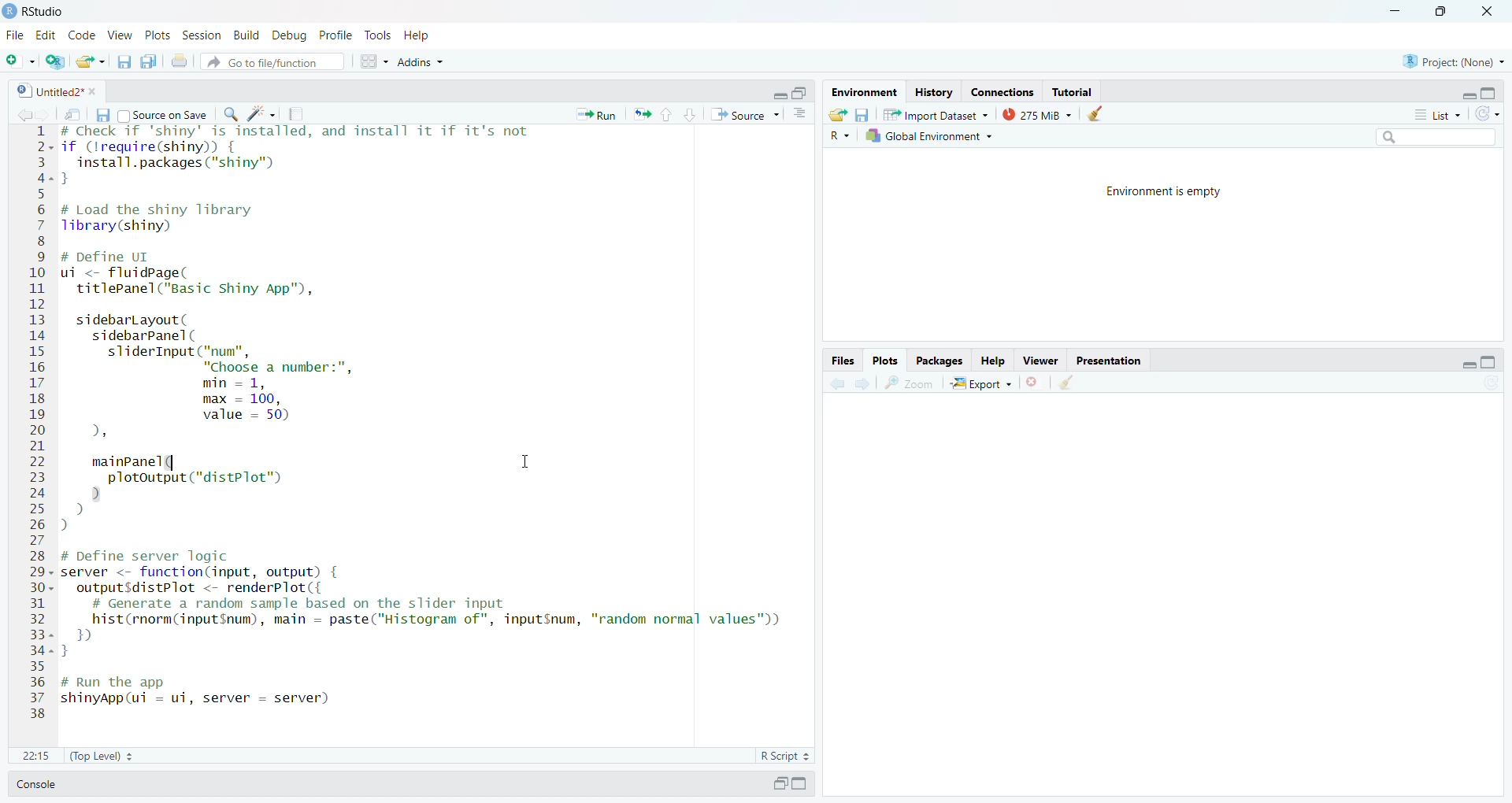  I want to click on save, so click(102, 115).